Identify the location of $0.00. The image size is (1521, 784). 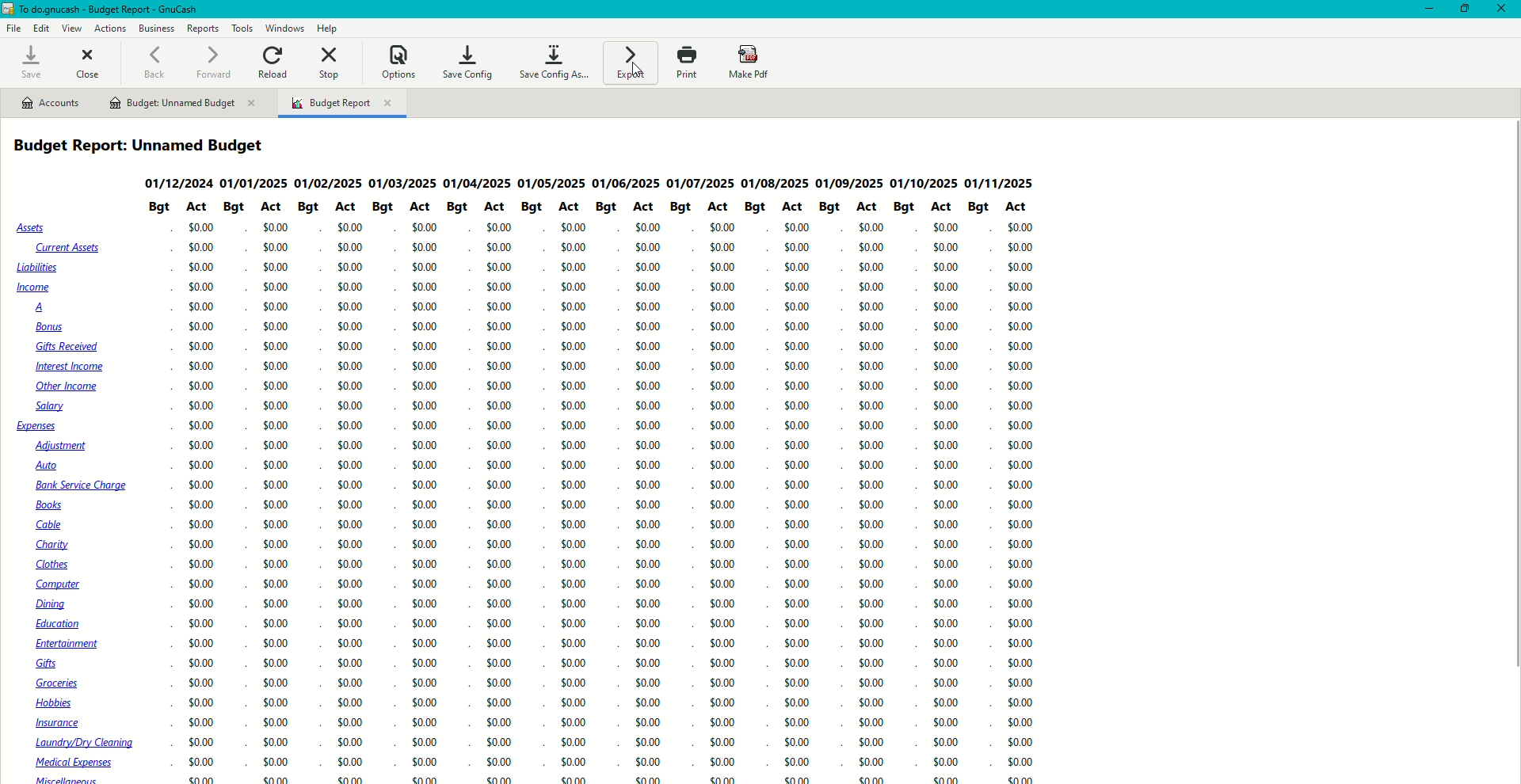
(646, 309).